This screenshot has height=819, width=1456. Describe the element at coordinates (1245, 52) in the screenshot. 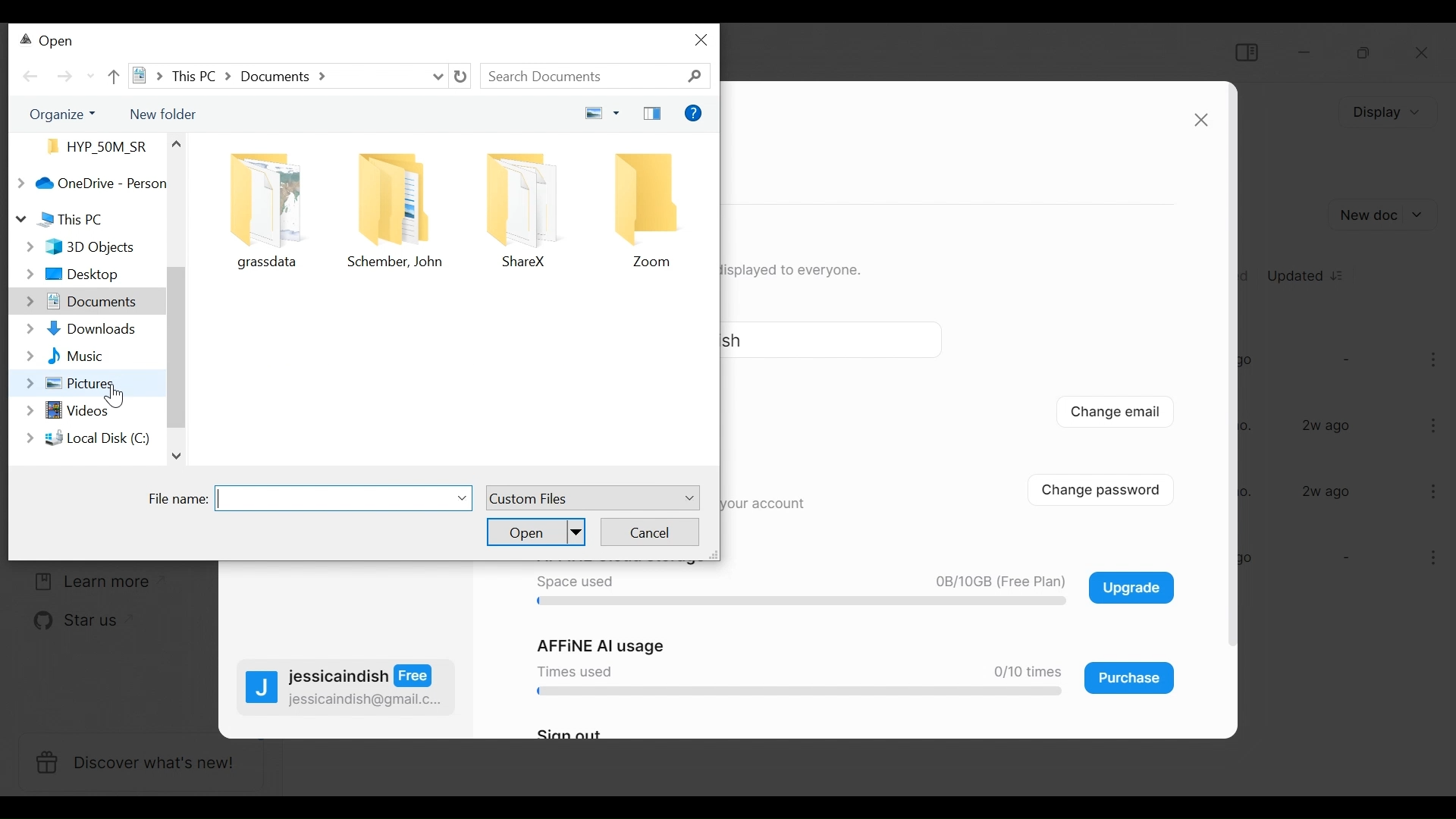

I see `Show/Hide Sidebar` at that location.